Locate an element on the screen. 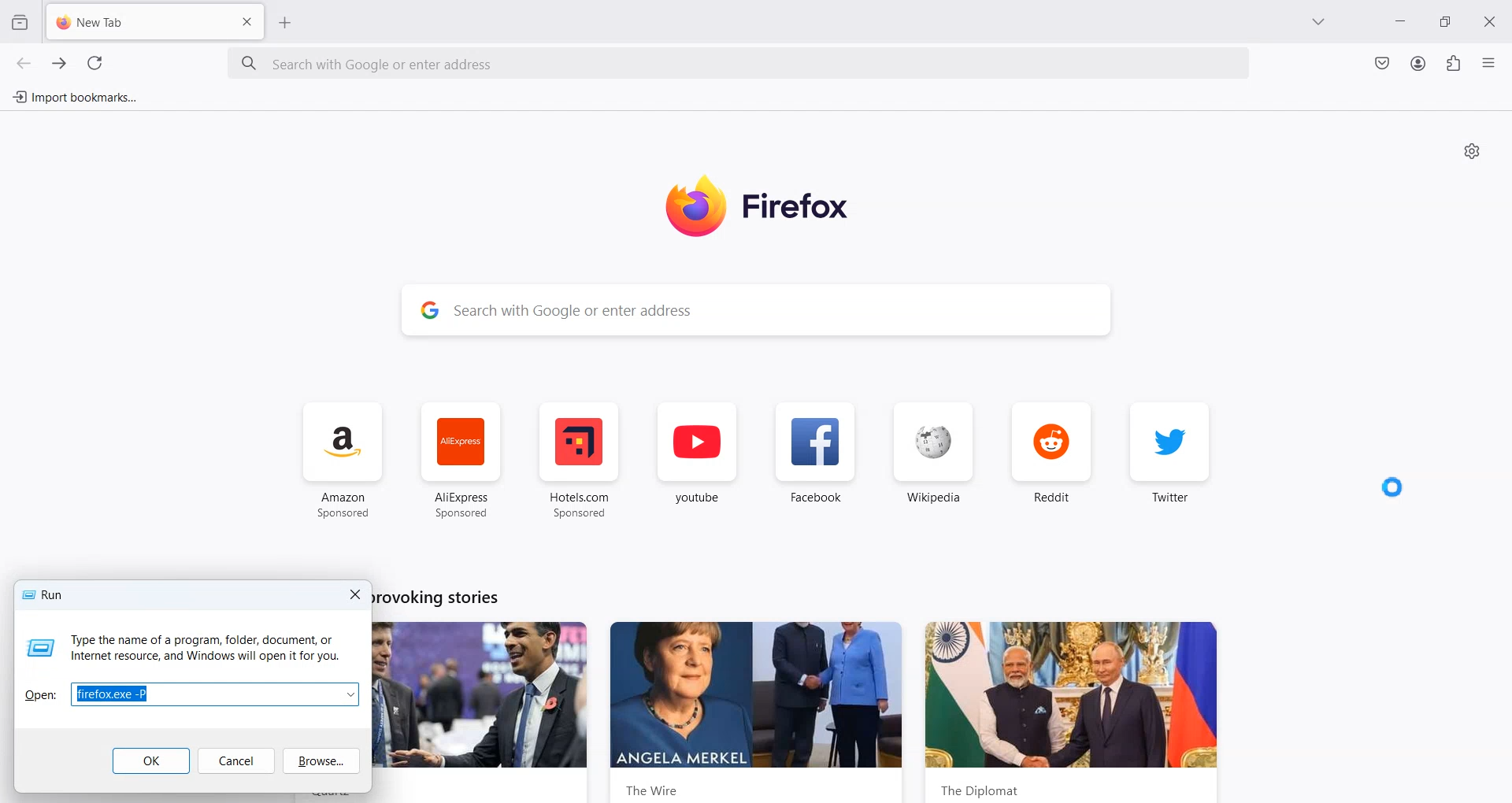 The width and height of the screenshot is (1512, 803). Personalize new tab  is located at coordinates (1472, 150).